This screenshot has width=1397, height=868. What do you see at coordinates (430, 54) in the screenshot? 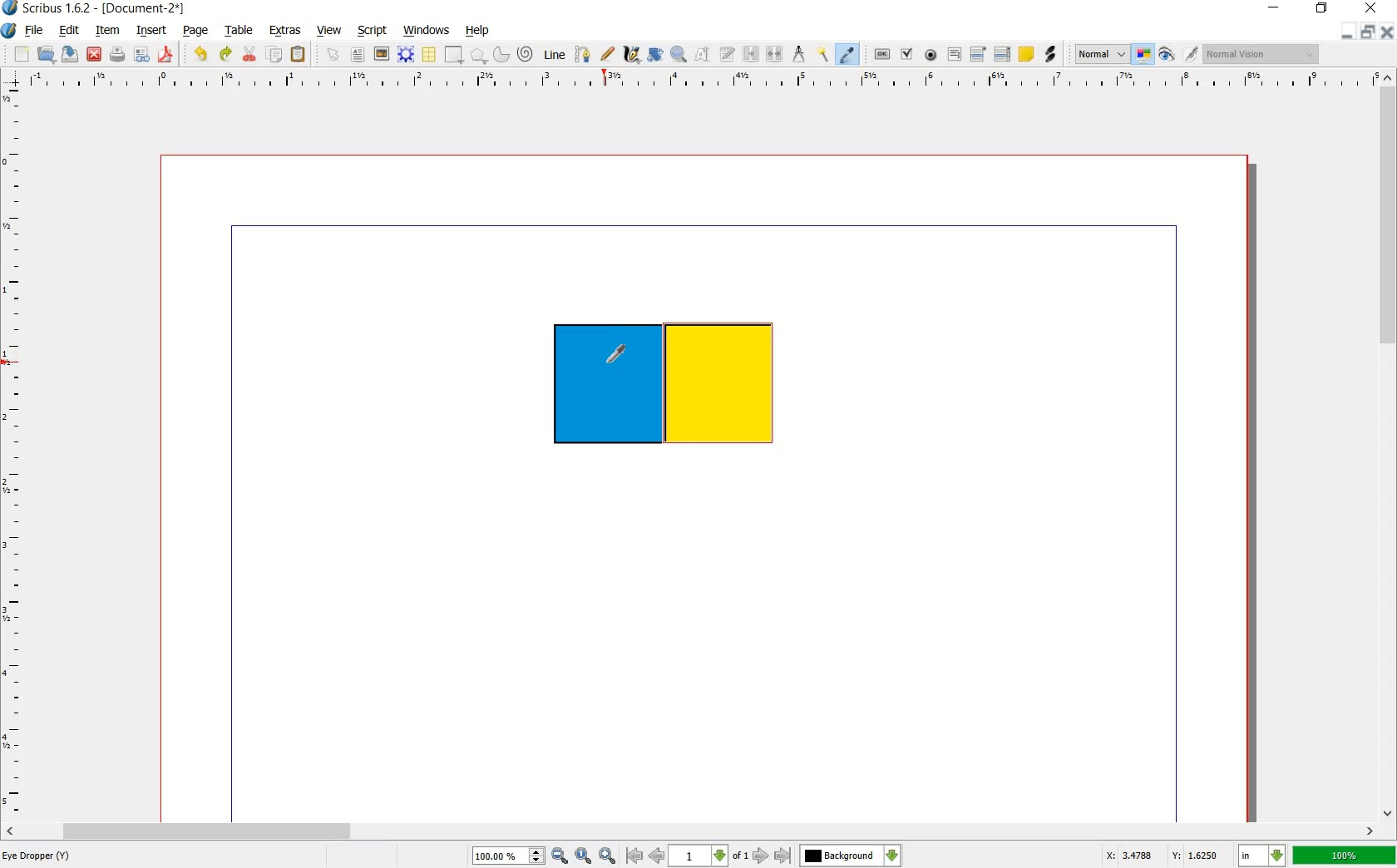
I see `table` at bounding box center [430, 54].